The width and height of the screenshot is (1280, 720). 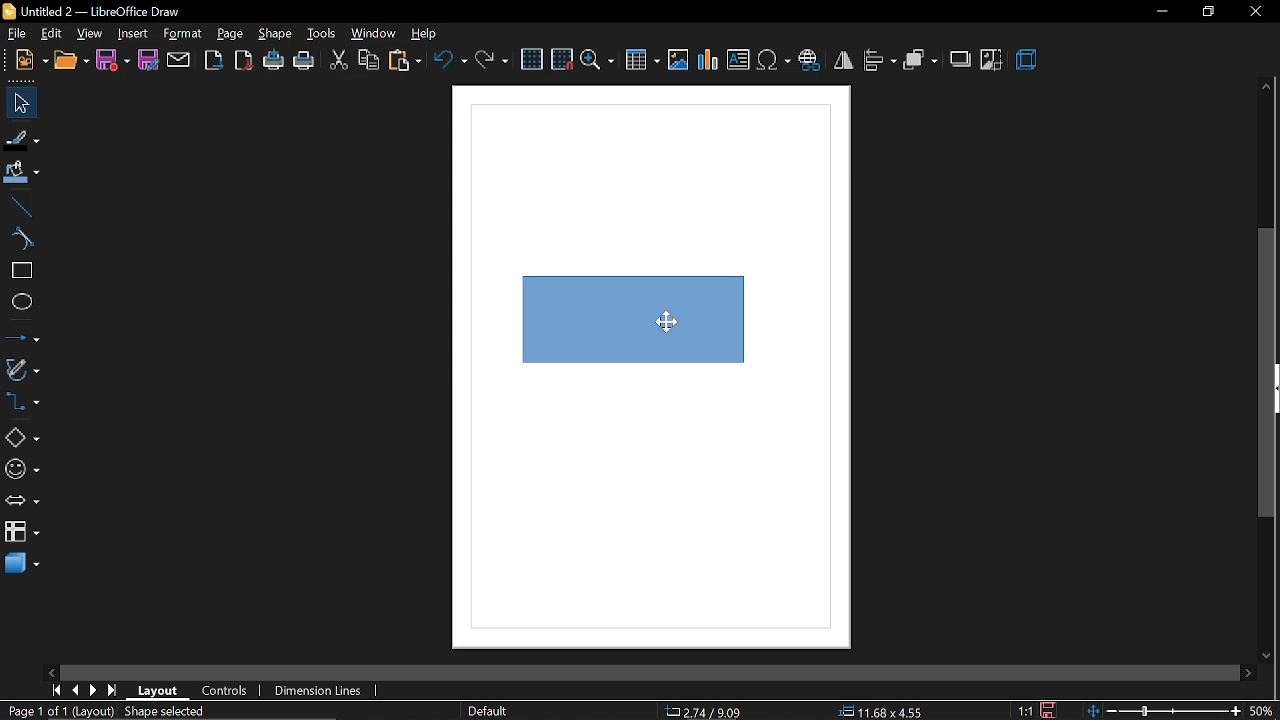 What do you see at coordinates (96, 10) in the screenshot?
I see `Untitled 2 - LibreOffice Draw` at bounding box center [96, 10].